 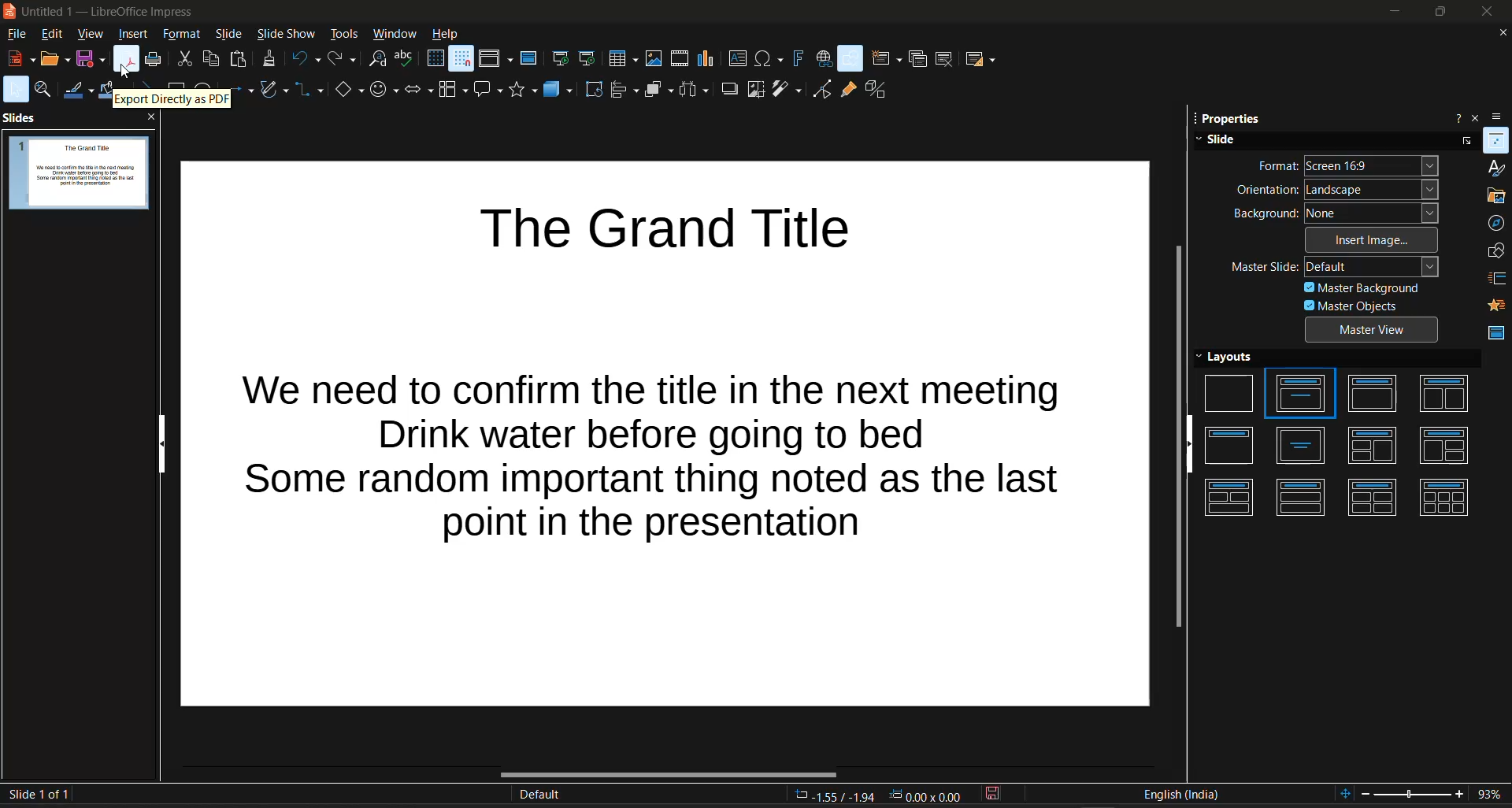 I want to click on close document, so click(x=1499, y=32).